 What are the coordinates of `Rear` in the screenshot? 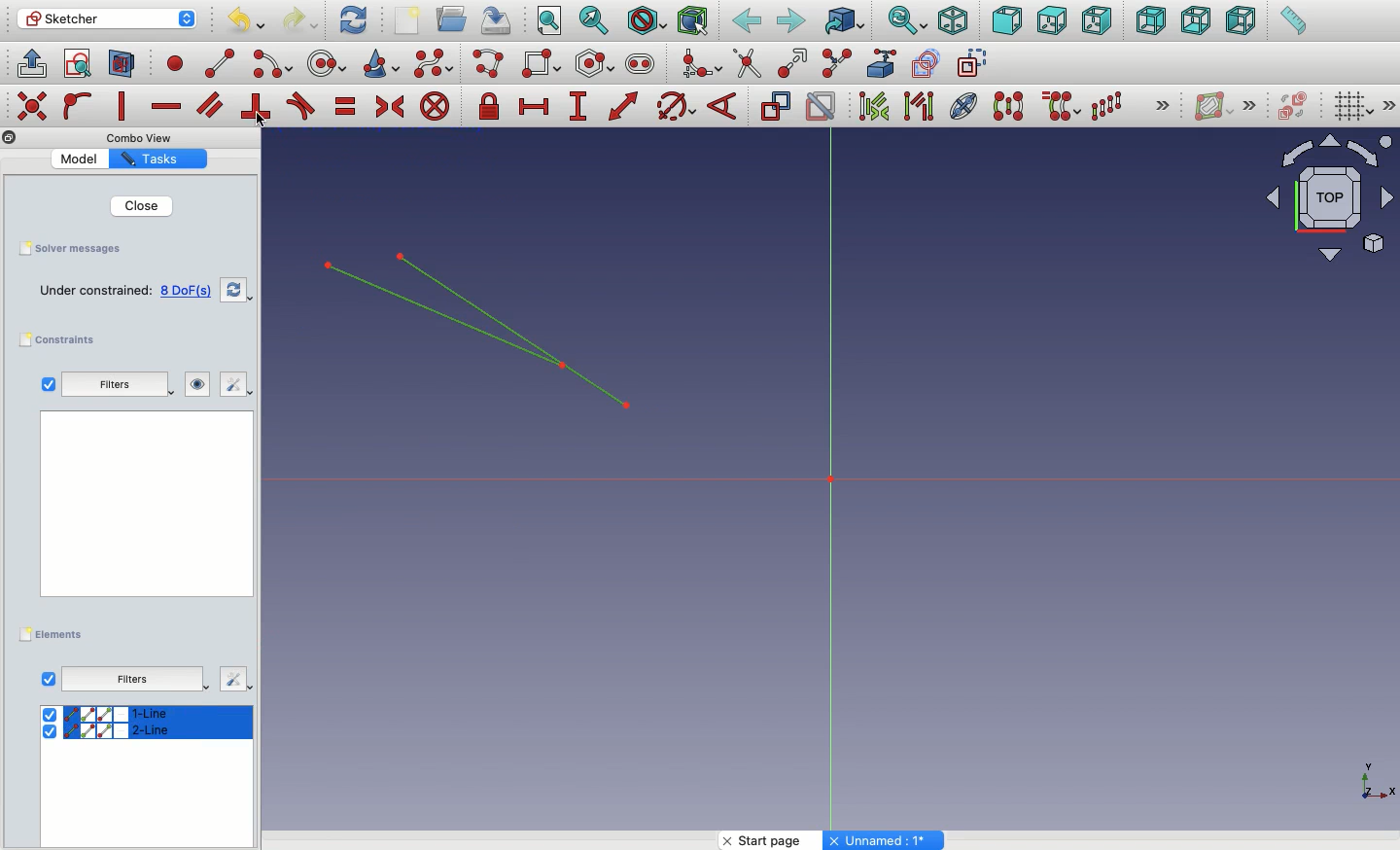 It's located at (1149, 21).